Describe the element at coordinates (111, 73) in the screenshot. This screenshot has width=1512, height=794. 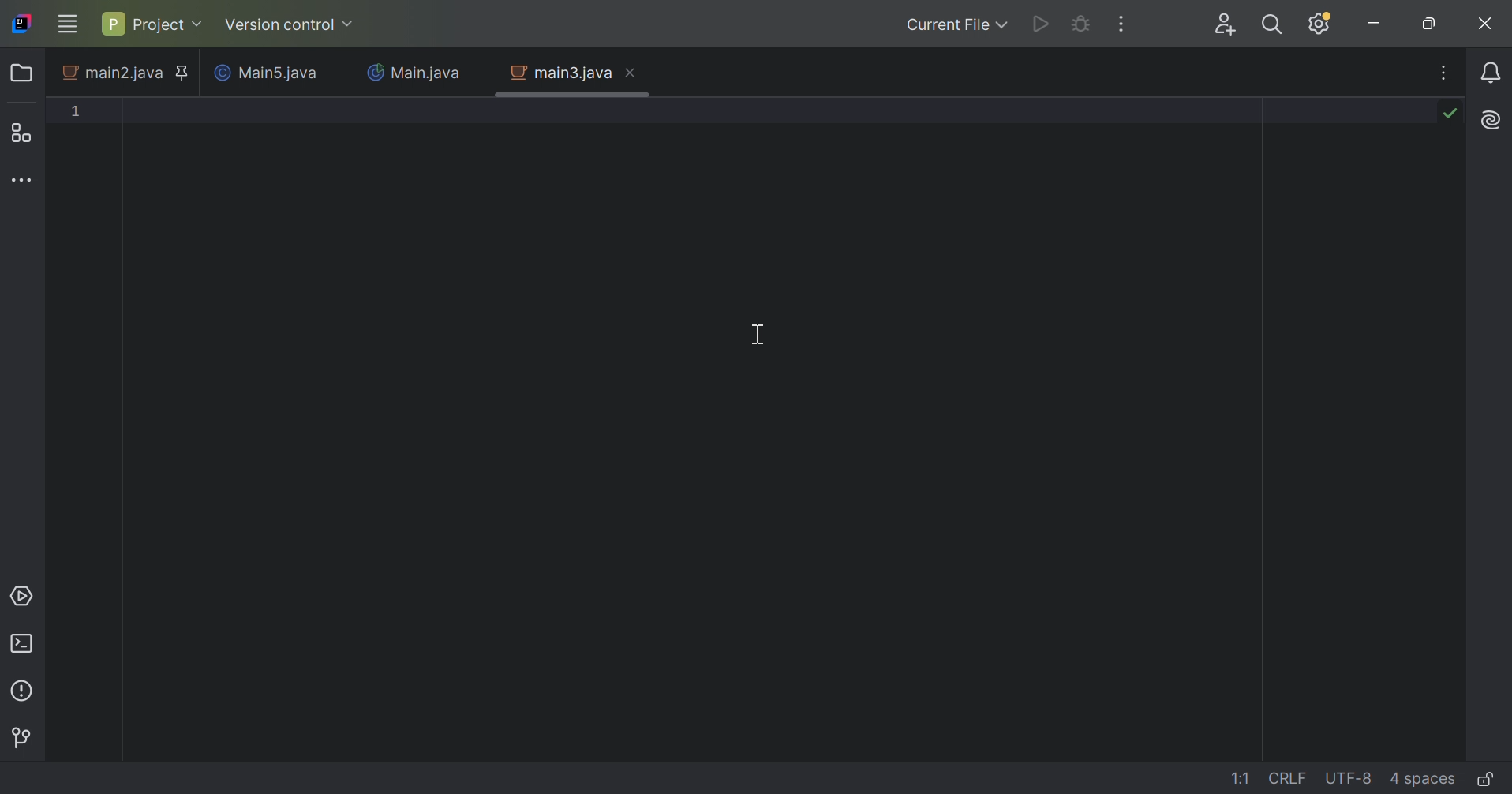
I see `main2.java` at that location.